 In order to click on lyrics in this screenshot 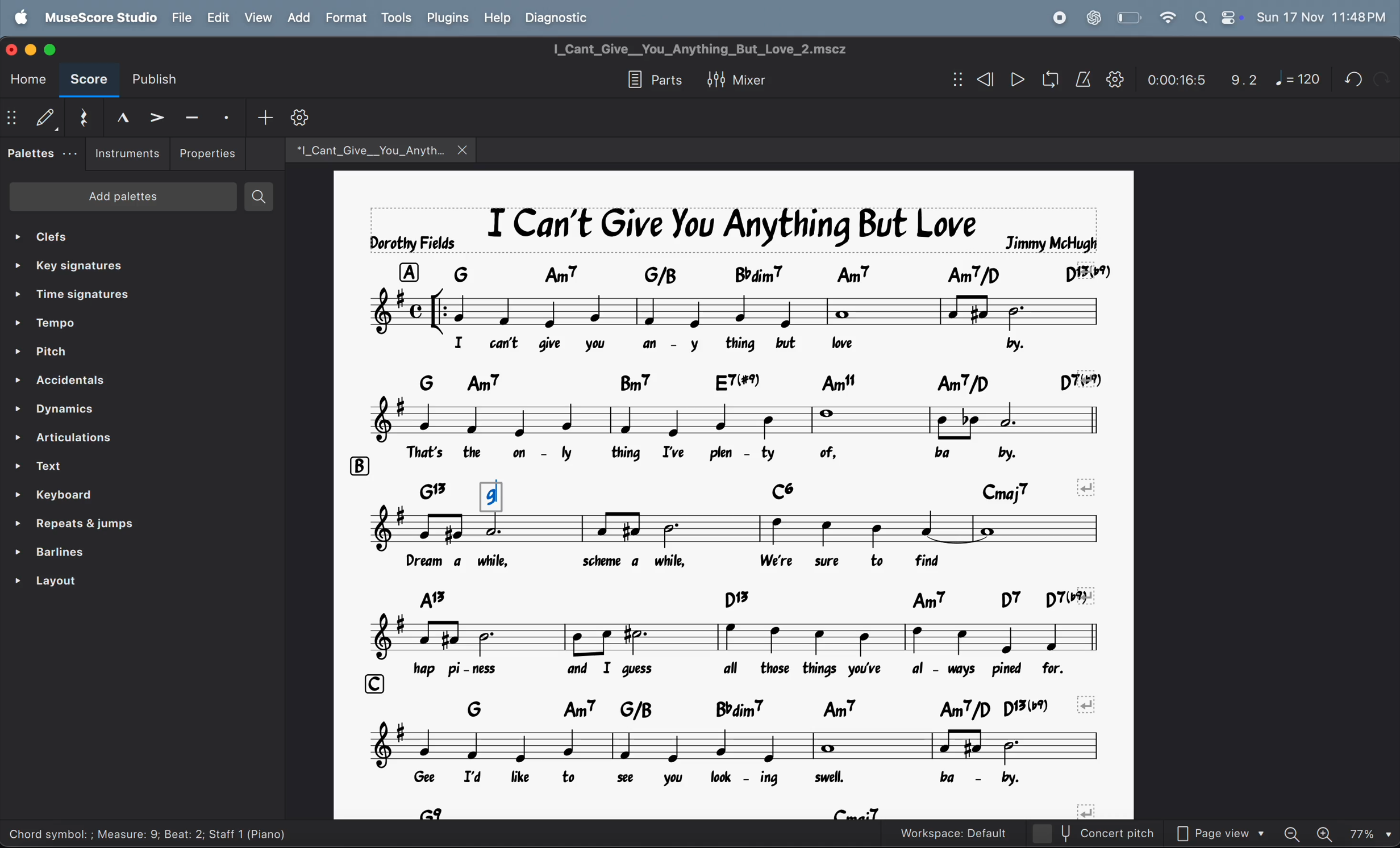, I will do `click(695, 561)`.